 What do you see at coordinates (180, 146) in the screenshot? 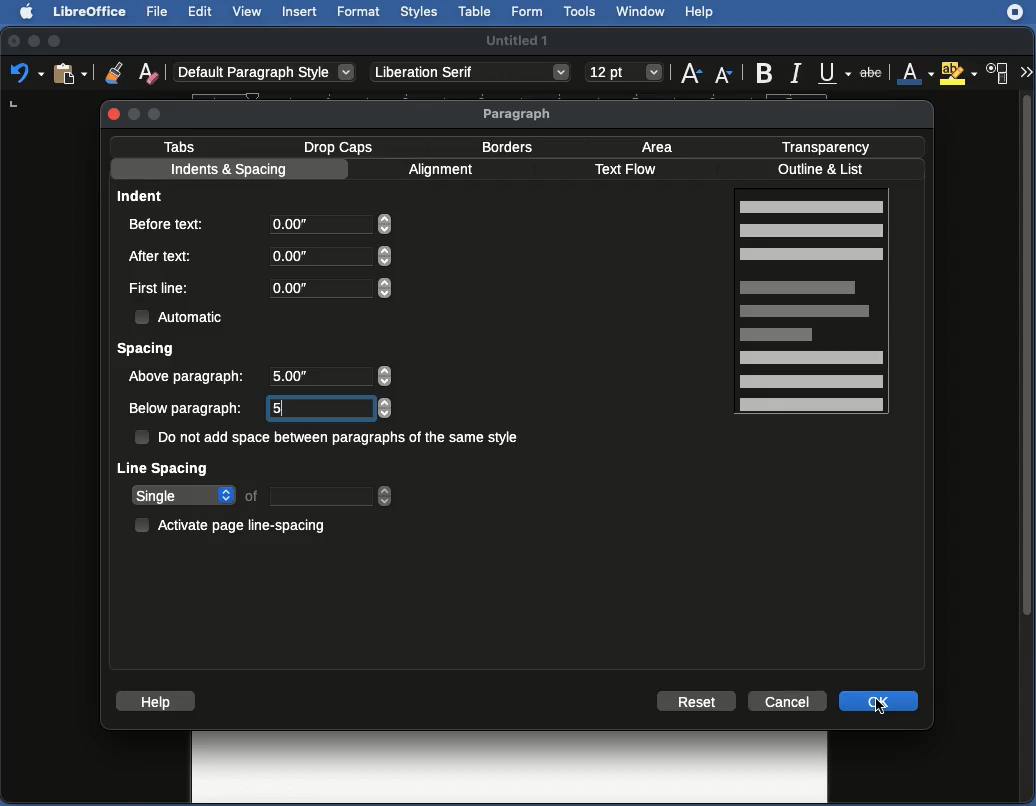
I see `Tabs` at bounding box center [180, 146].